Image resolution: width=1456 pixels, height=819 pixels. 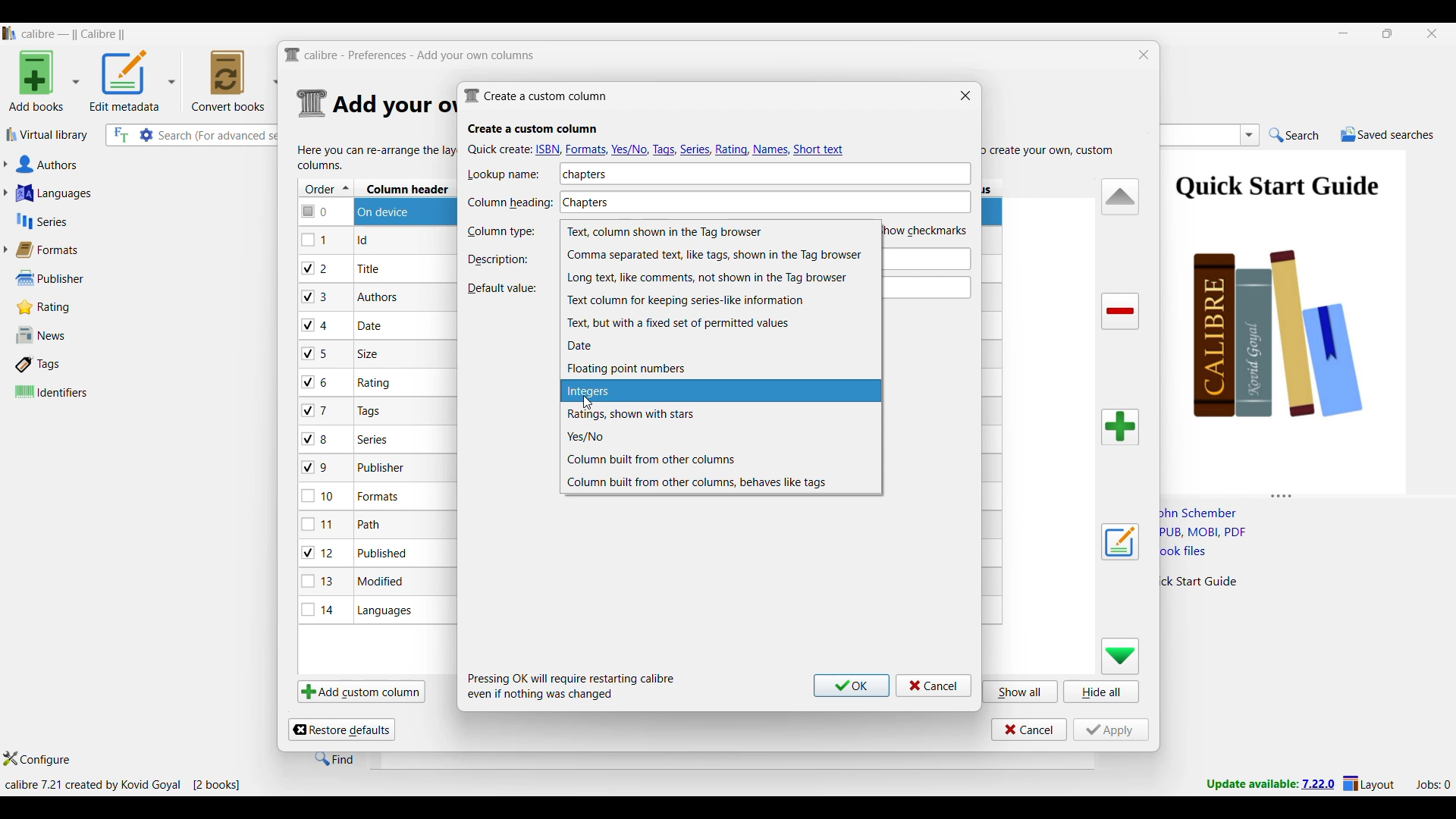 I want to click on Languages, so click(x=115, y=193).